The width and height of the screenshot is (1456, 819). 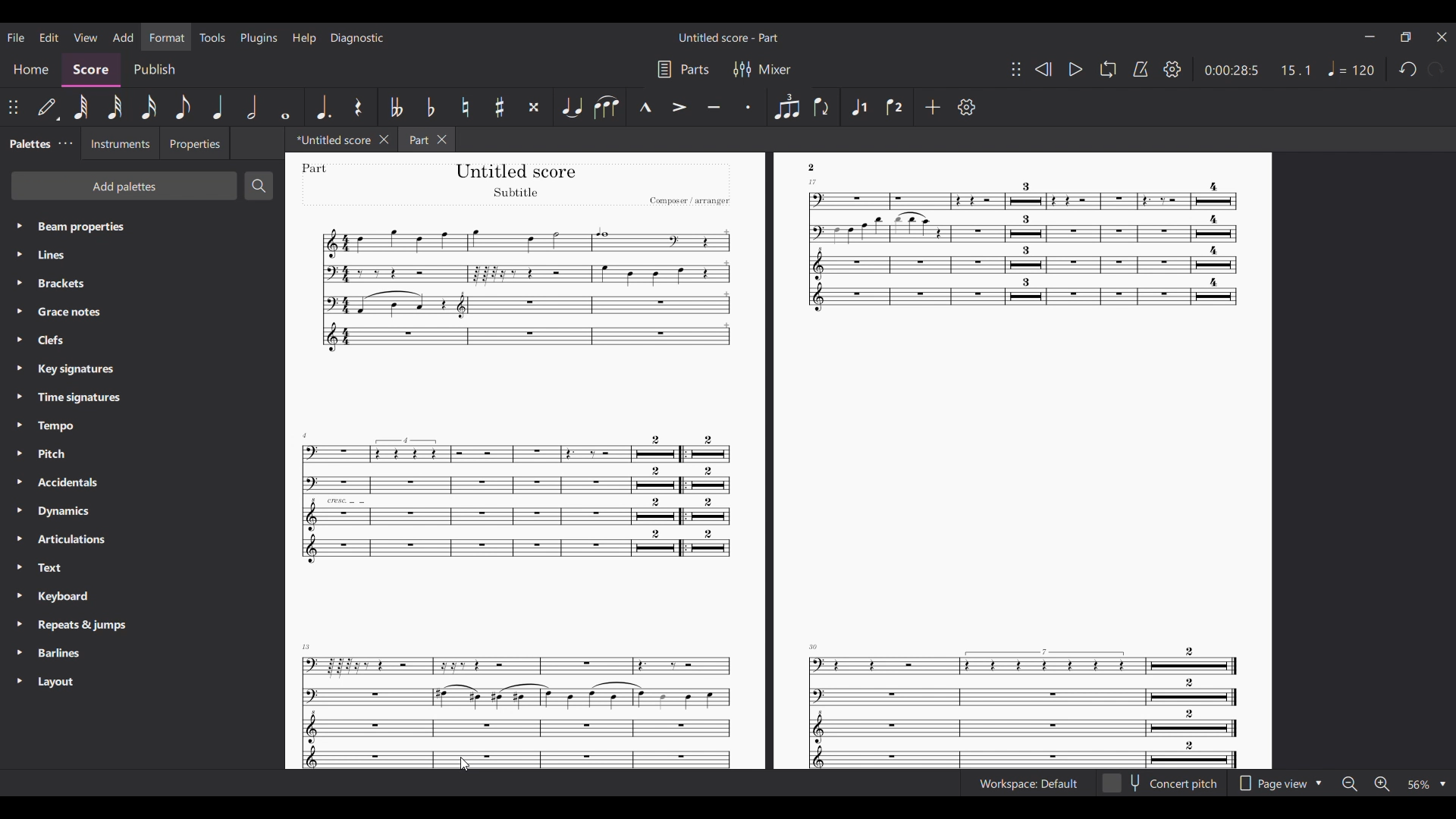 I want to click on Diagnostic menu, so click(x=357, y=39).